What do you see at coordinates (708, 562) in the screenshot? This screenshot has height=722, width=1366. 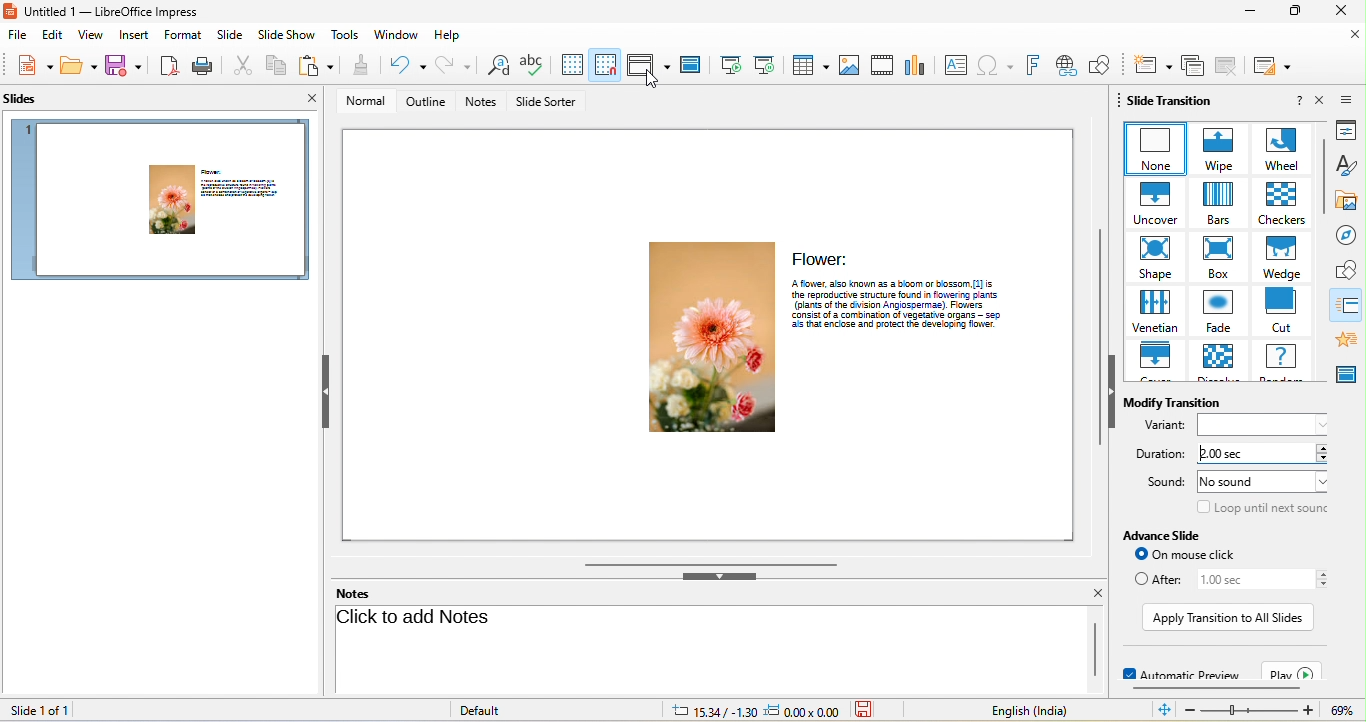 I see `horizontal scroll bar` at bounding box center [708, 562].